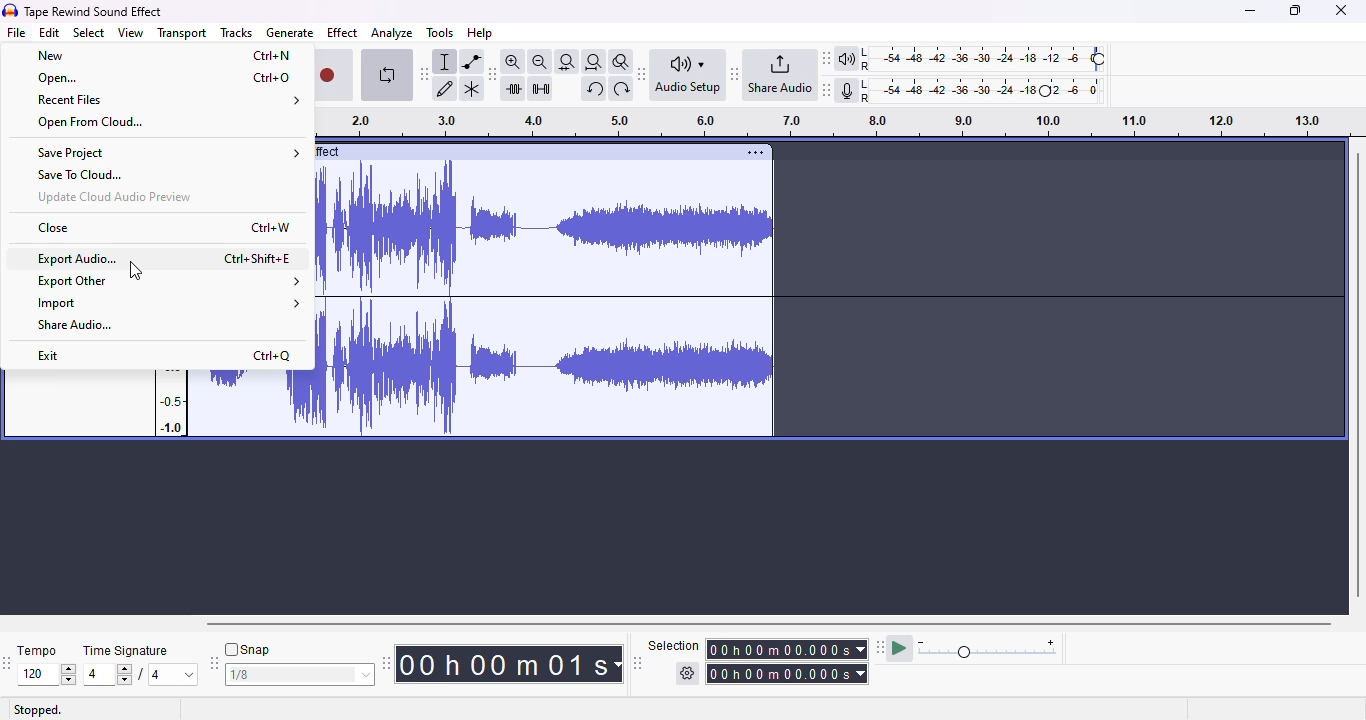 This screenshot has height=720, width=1366. Describe the element at coordinates (513, 88) in the screenshot. I see `trim audio outside selection` at that location.